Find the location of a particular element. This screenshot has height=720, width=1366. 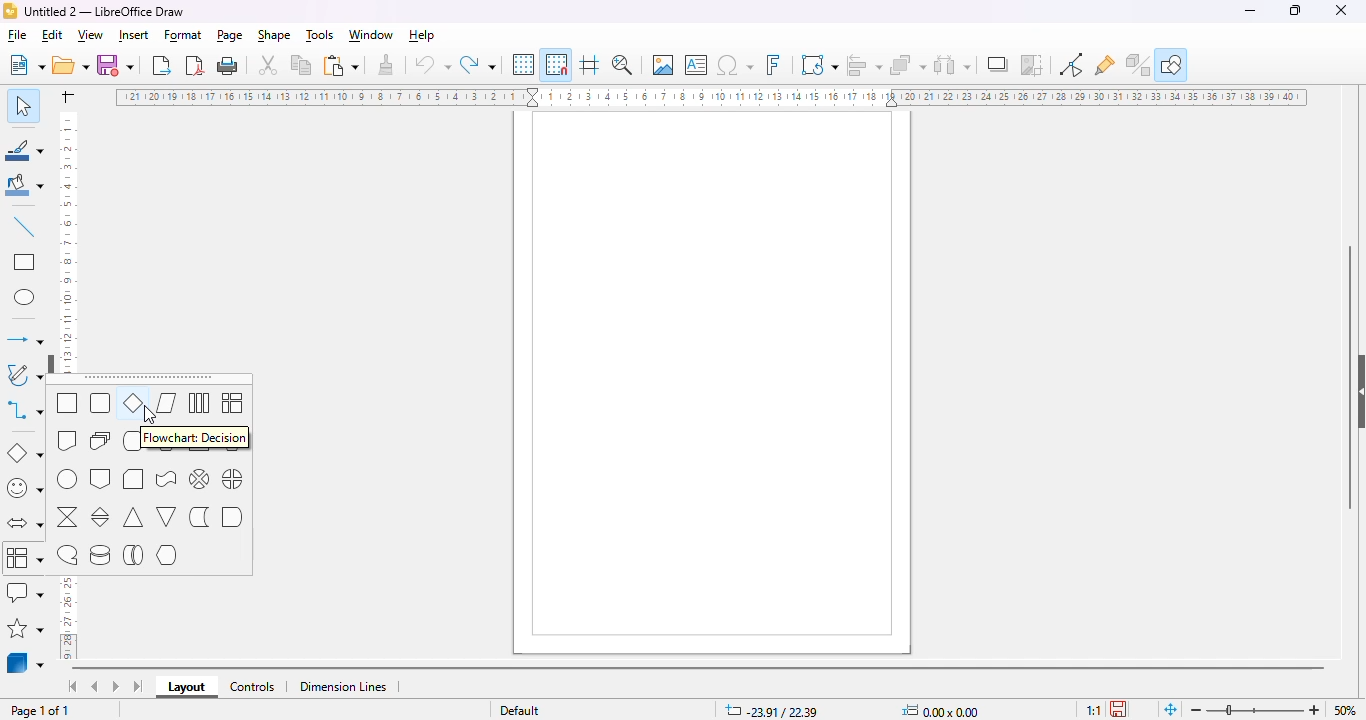

select at least three objects to distribute is located at coordinates (954, 65).